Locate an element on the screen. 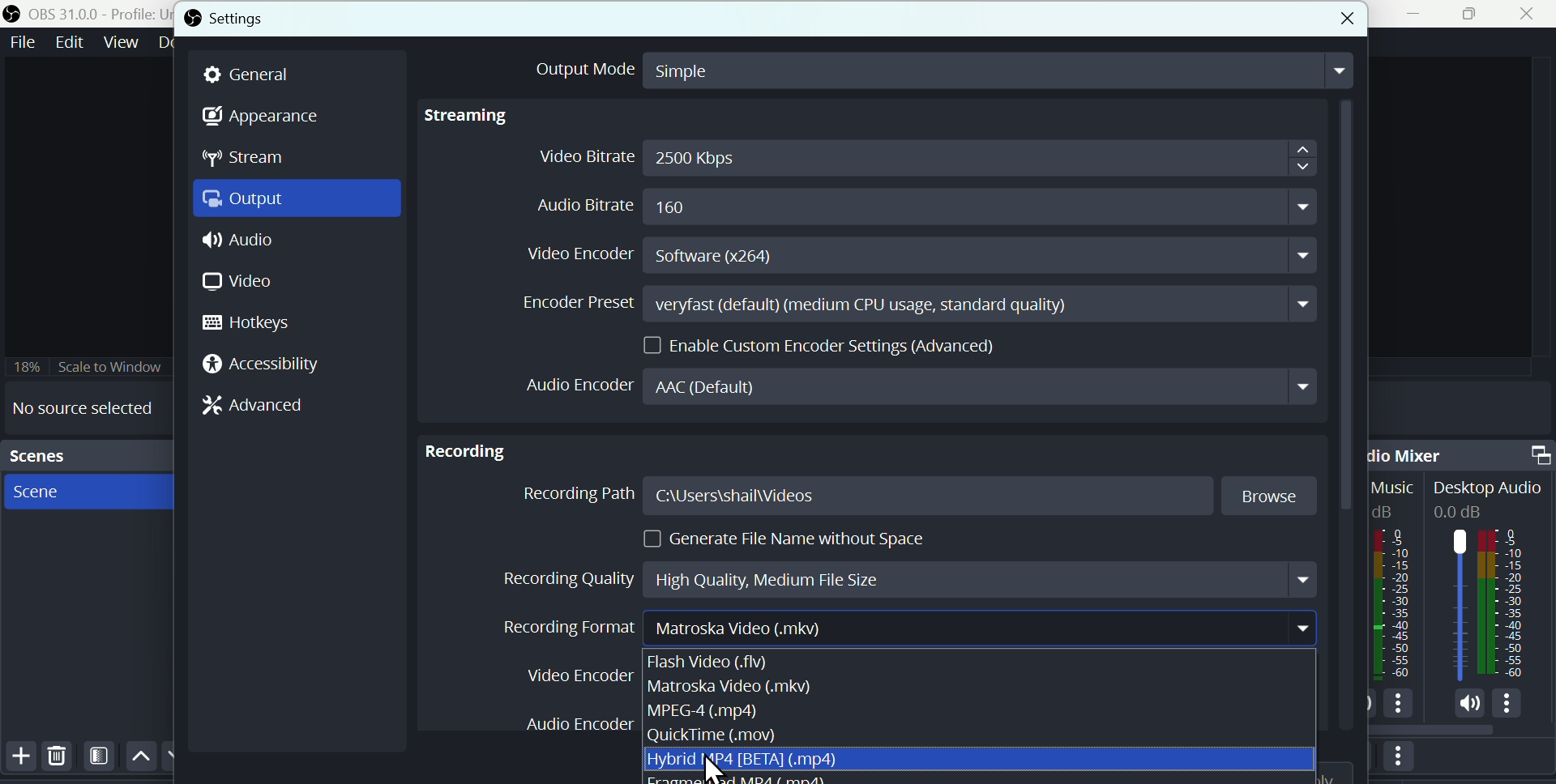  Close is located at coordinates (1531, 15).